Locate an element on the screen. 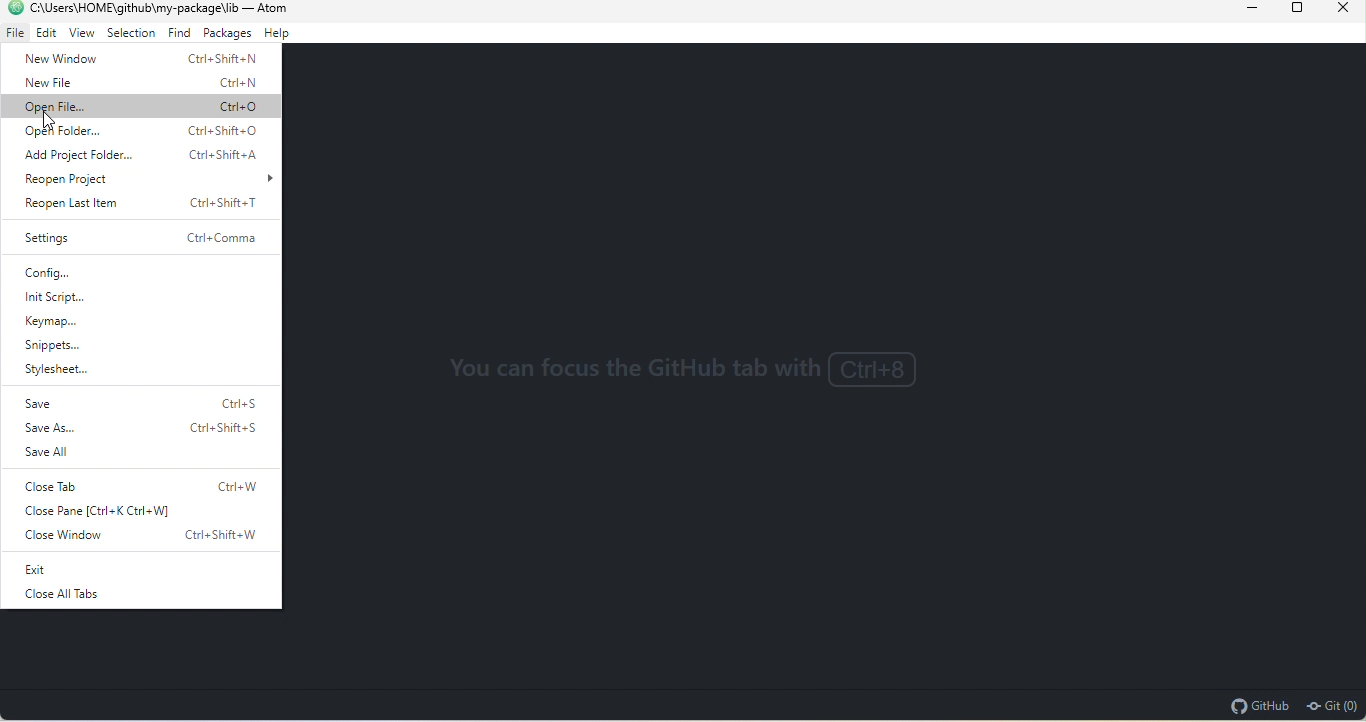 The width and height of the screenshot is (1366, 722). add project folder is located at coordinates (146, 155).